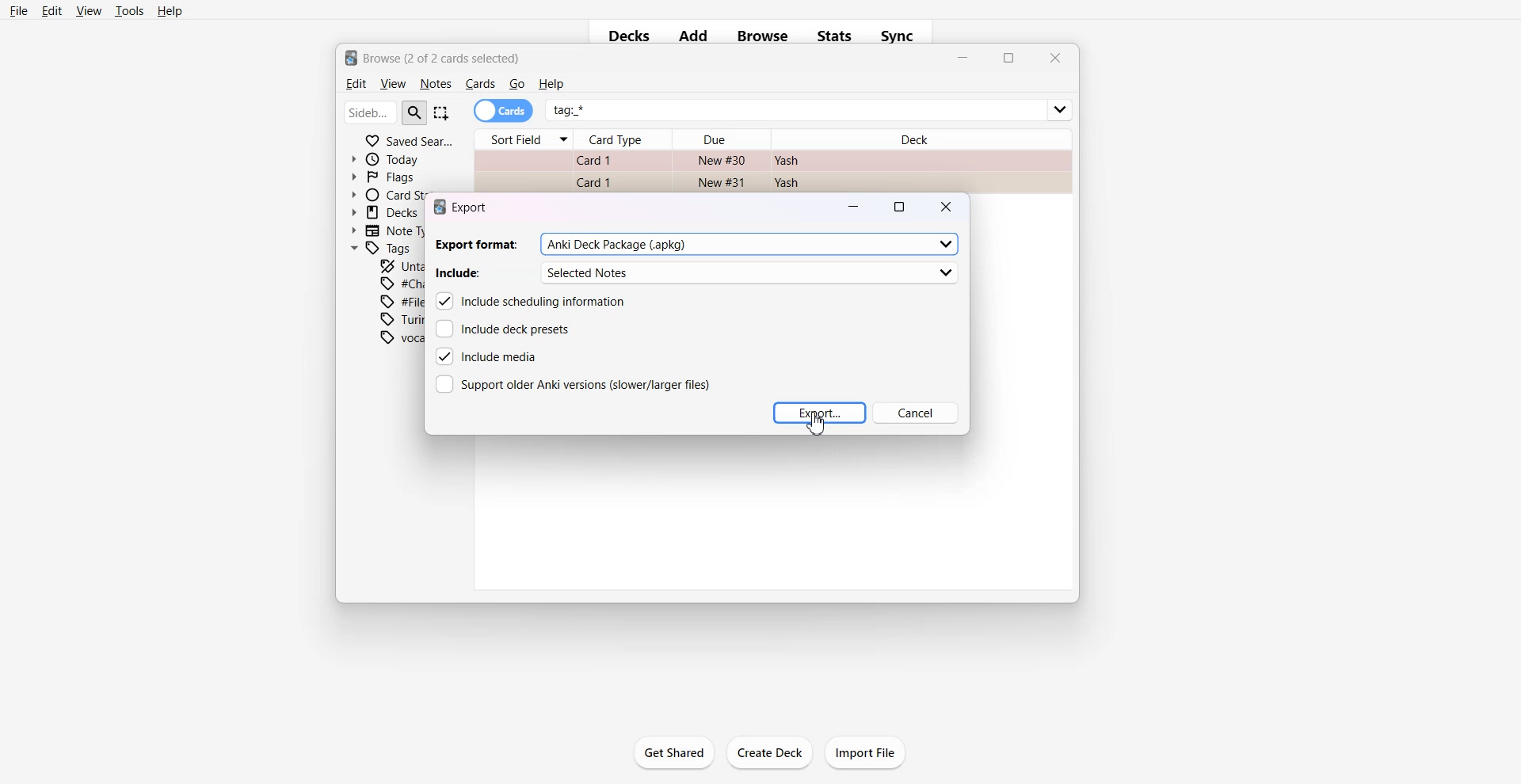 The height and width of the screenshot is (784, 1521). Describe the element at coordinates (517, 84) in the screenshot. I see `Go` at that location.